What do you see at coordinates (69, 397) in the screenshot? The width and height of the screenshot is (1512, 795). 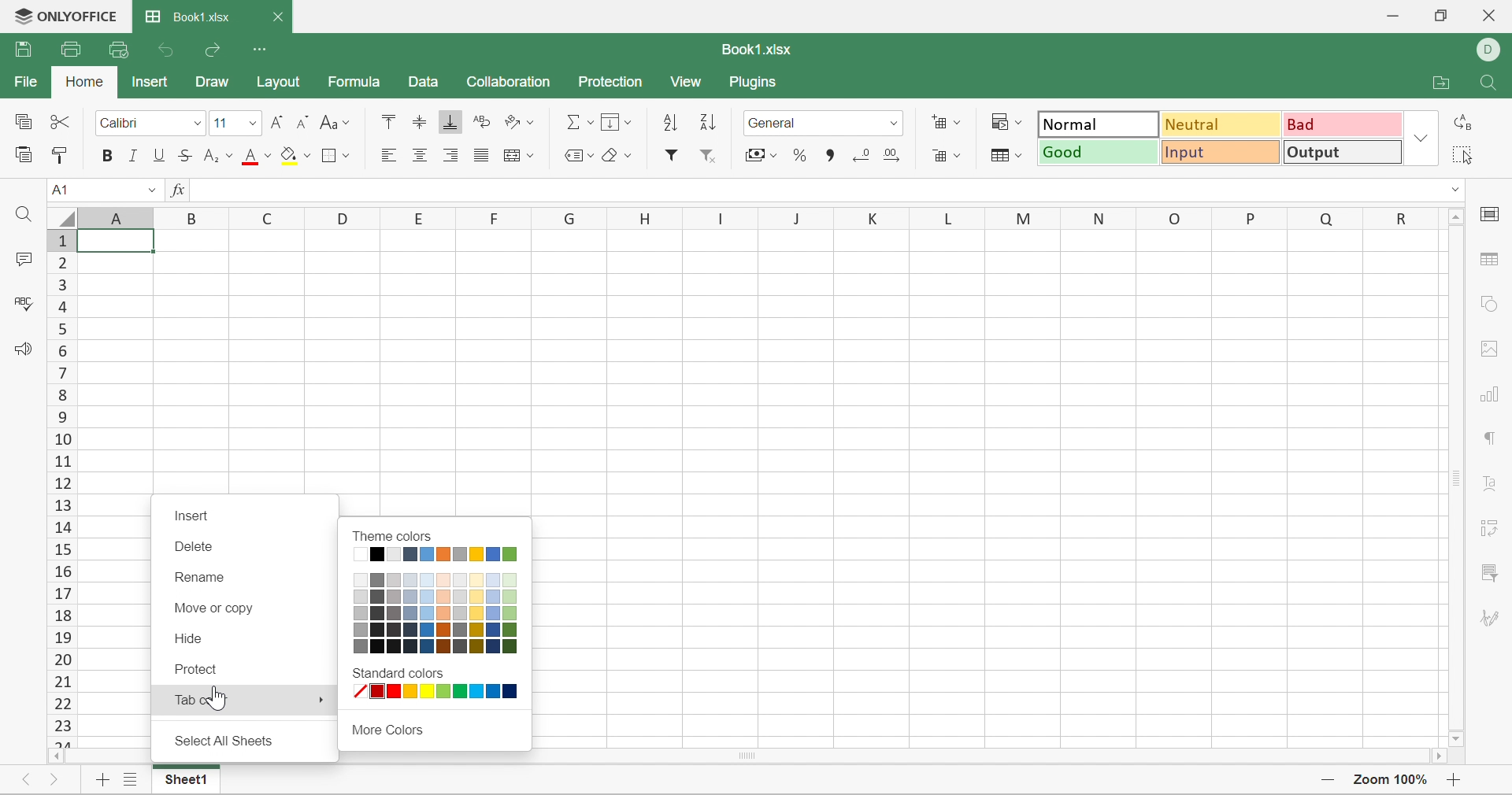 I see `8` at bounding box center [69, 397].